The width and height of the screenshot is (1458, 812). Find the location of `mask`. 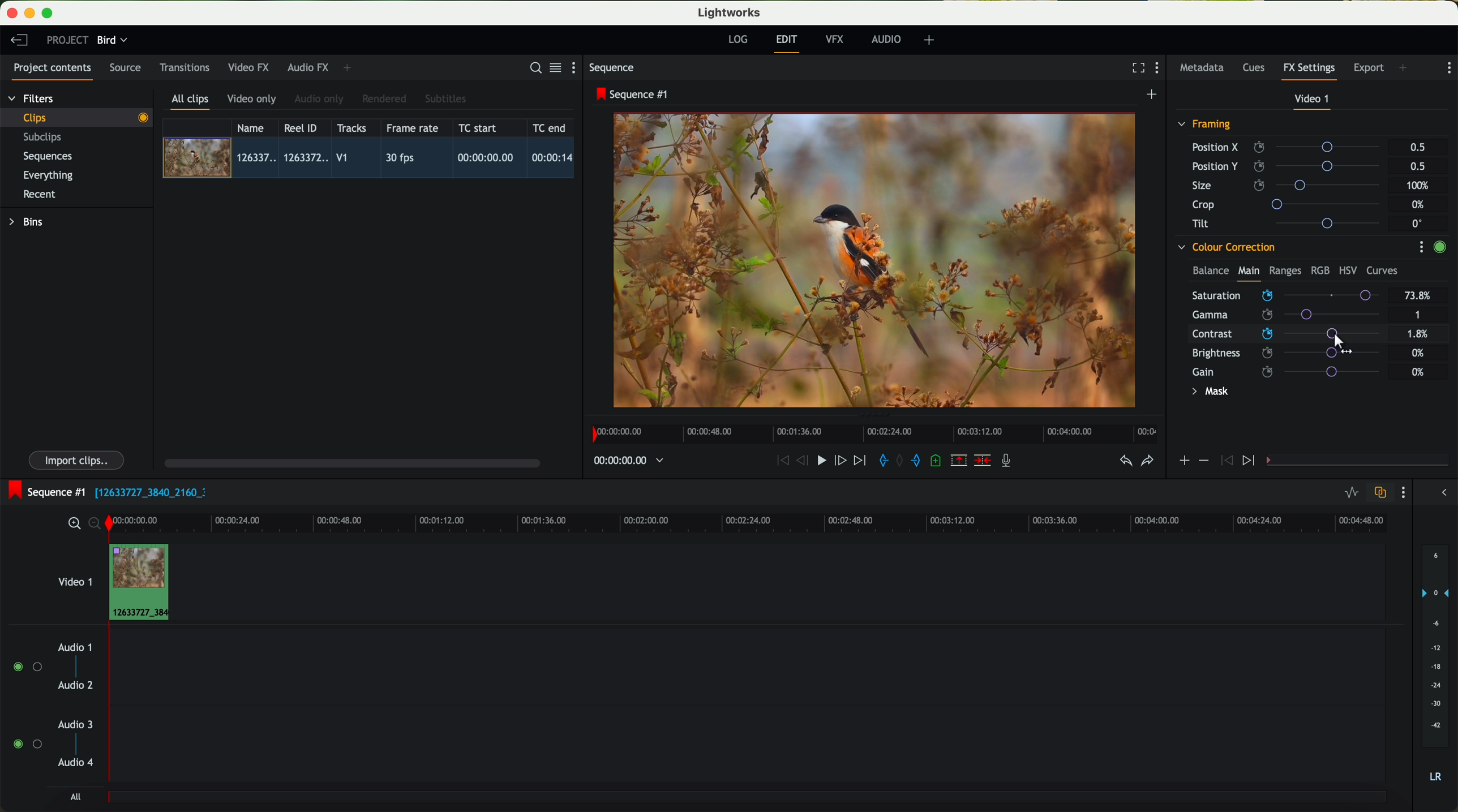

mask is located at coordinates (1208, 393).